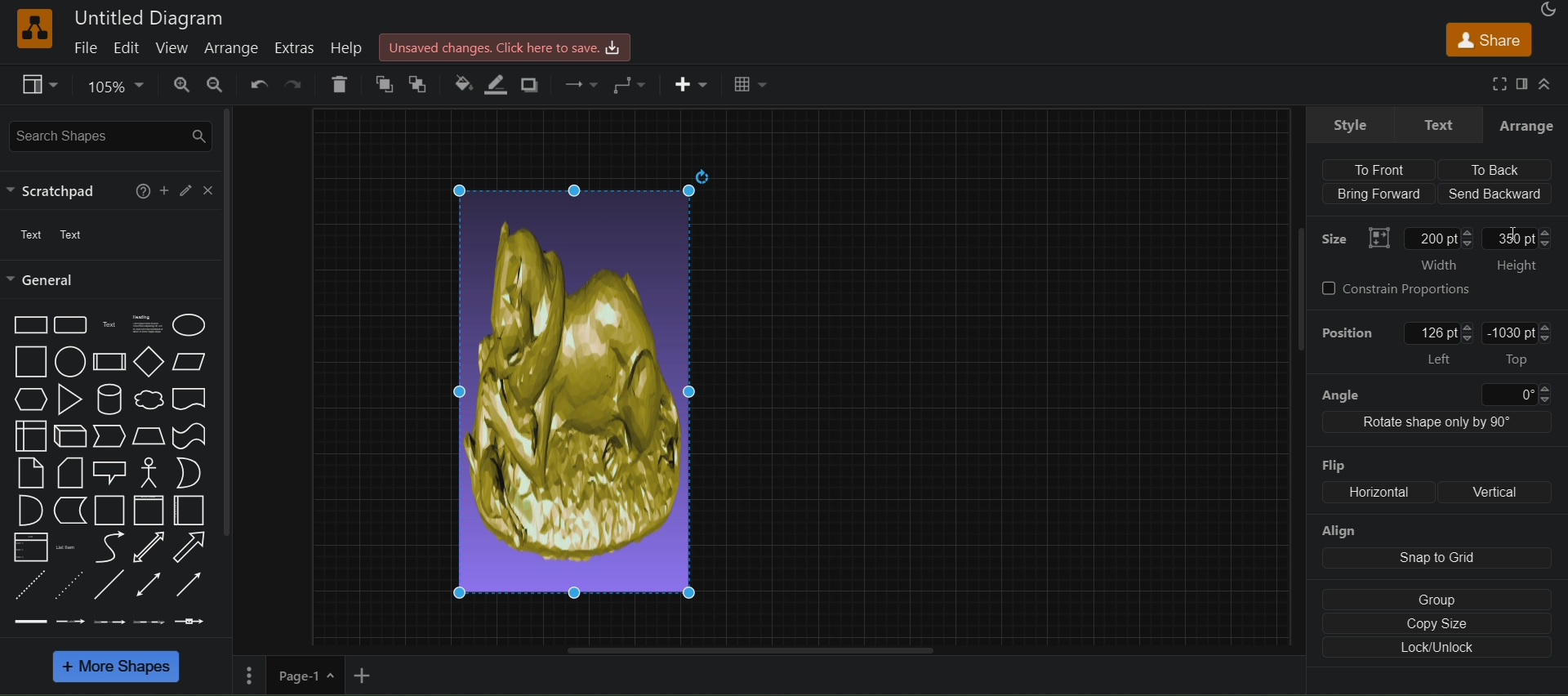 The image size is (1568, 696). What do you see at coordinates (1432, 599) in the screenshot?
I see `group` at bounding box center [1432, 599].